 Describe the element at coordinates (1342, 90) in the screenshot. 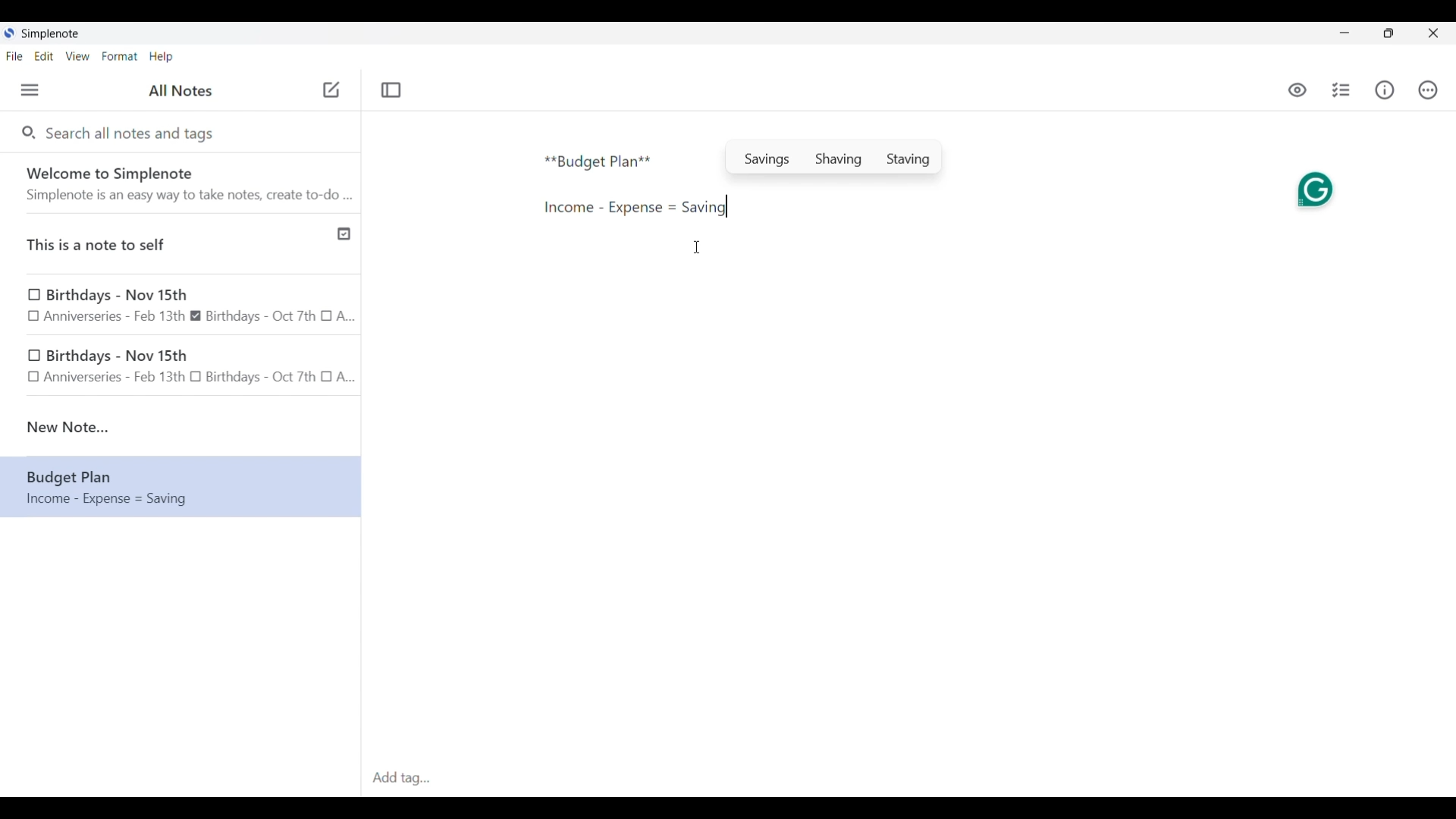

I see `Insert checklist` at that location.